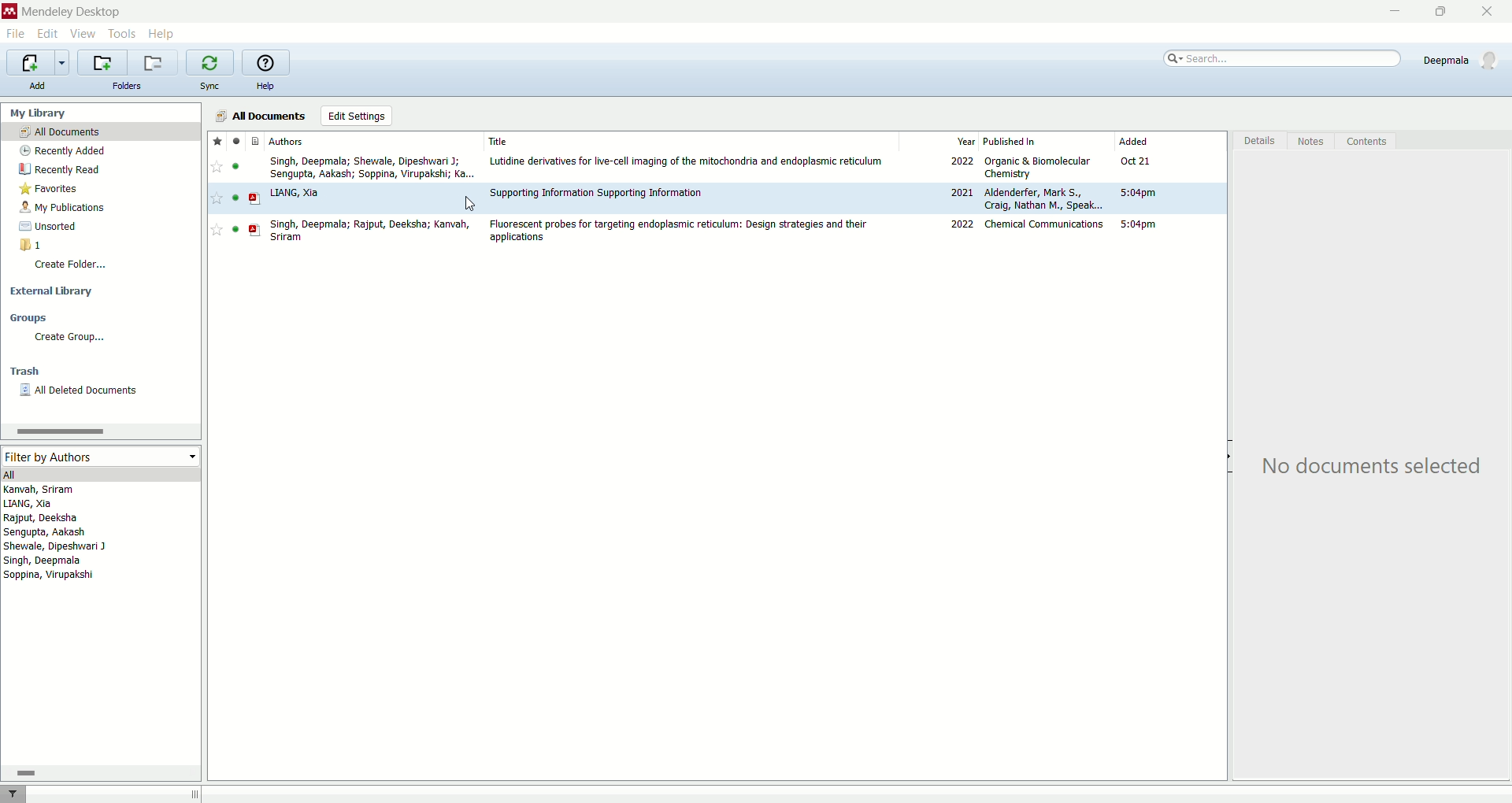 The width and height of the screenshot is (1512, 803). I want to click on cursor, so click(471, 203).